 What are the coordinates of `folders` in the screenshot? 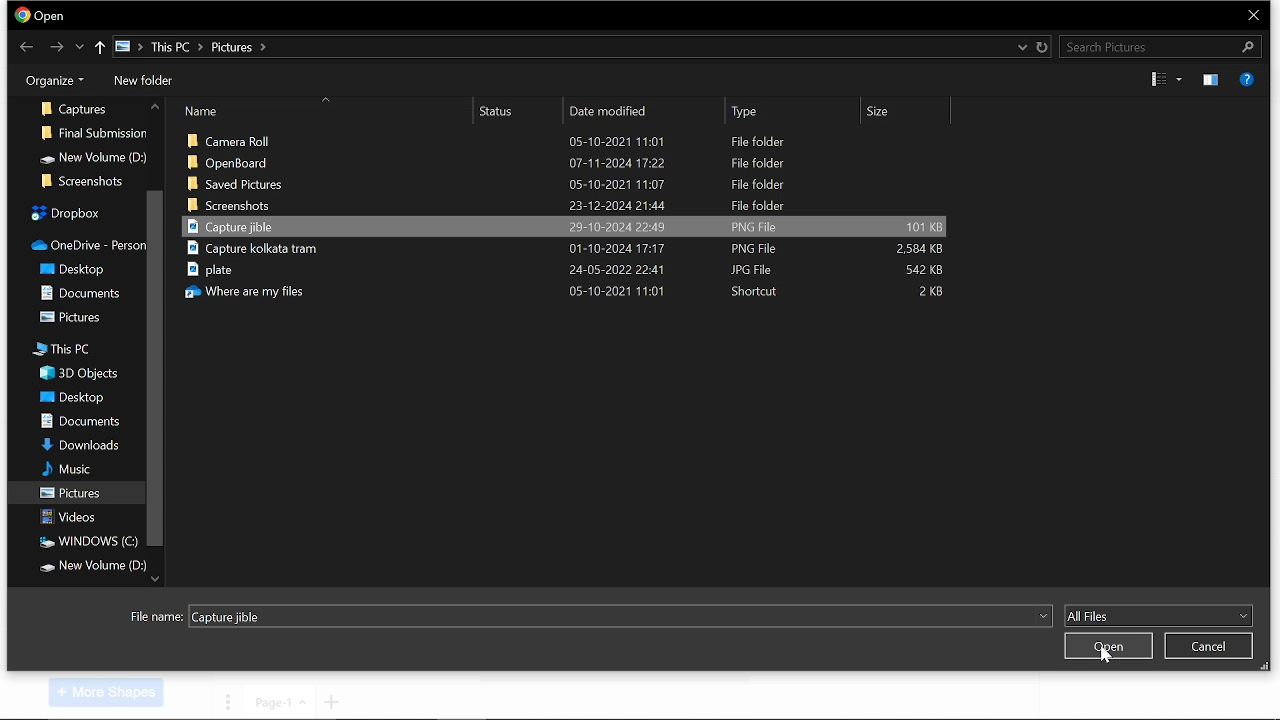 It's located at (72, 399).